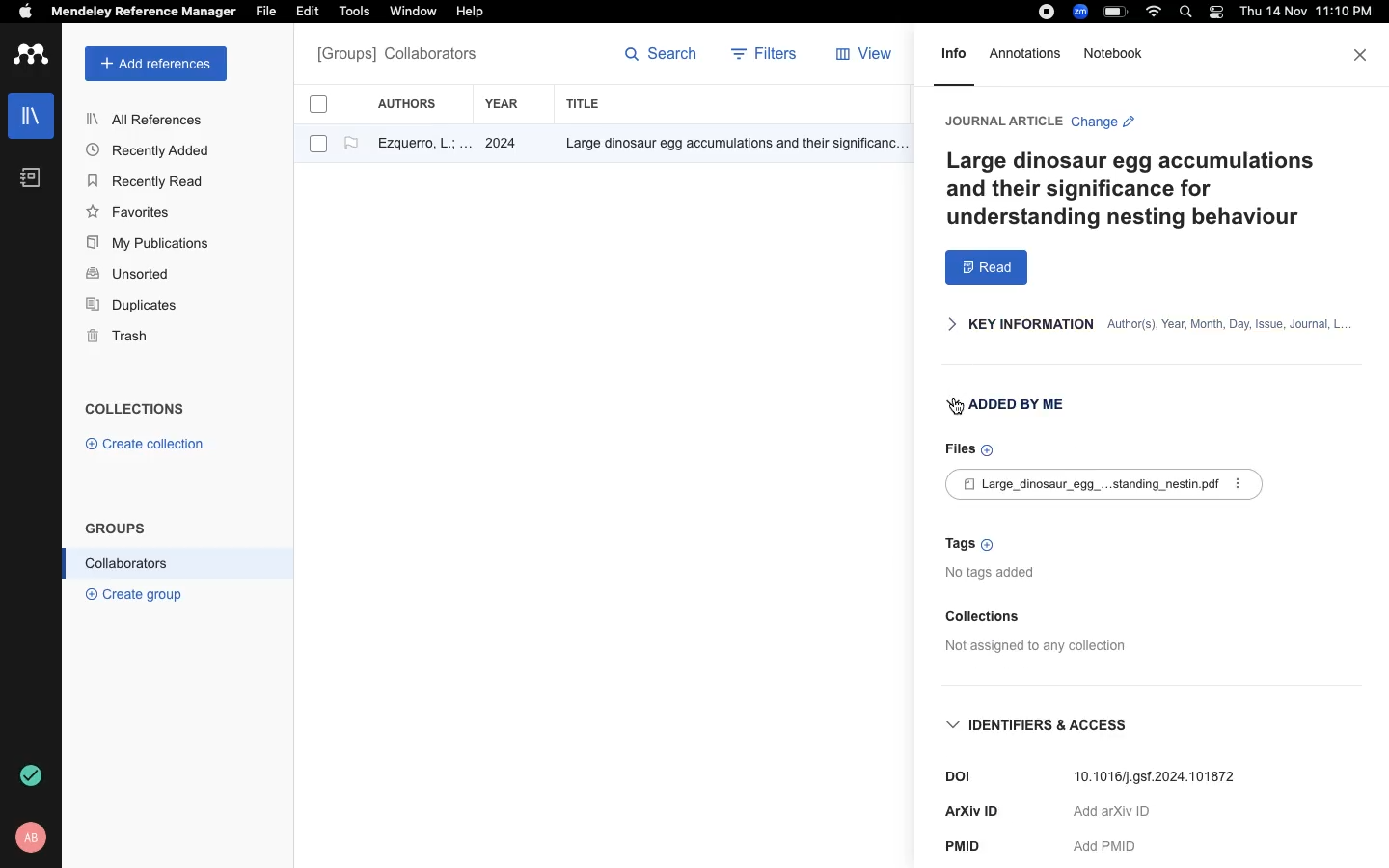 The height and width of the screenshot is (868, 1389). Describe the element at coordinates (153, 149) in the screenshot. I see `Recently Added` at that location.